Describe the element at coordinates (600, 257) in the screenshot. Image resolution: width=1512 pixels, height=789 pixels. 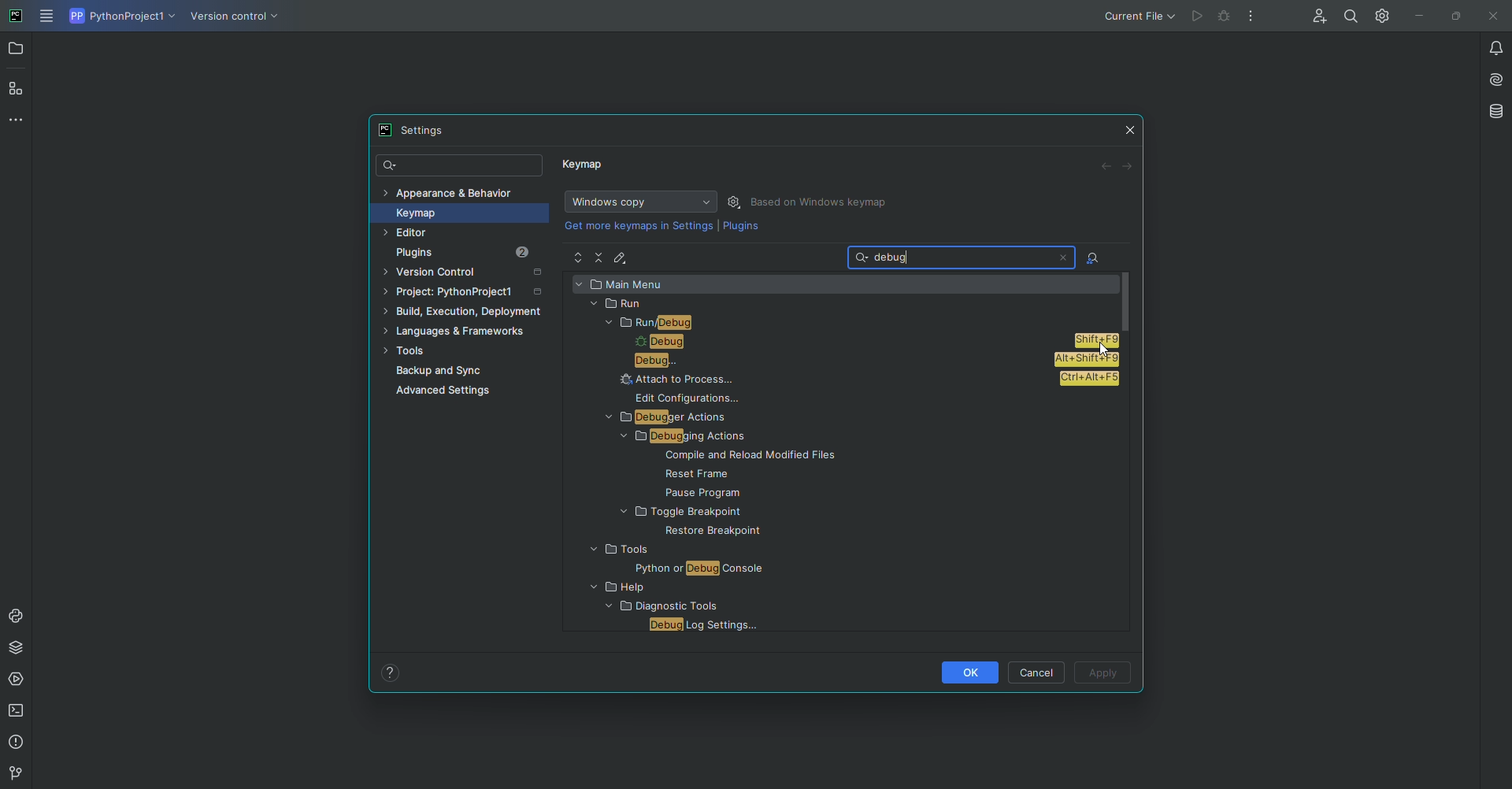
I see `Collapse` at that location.